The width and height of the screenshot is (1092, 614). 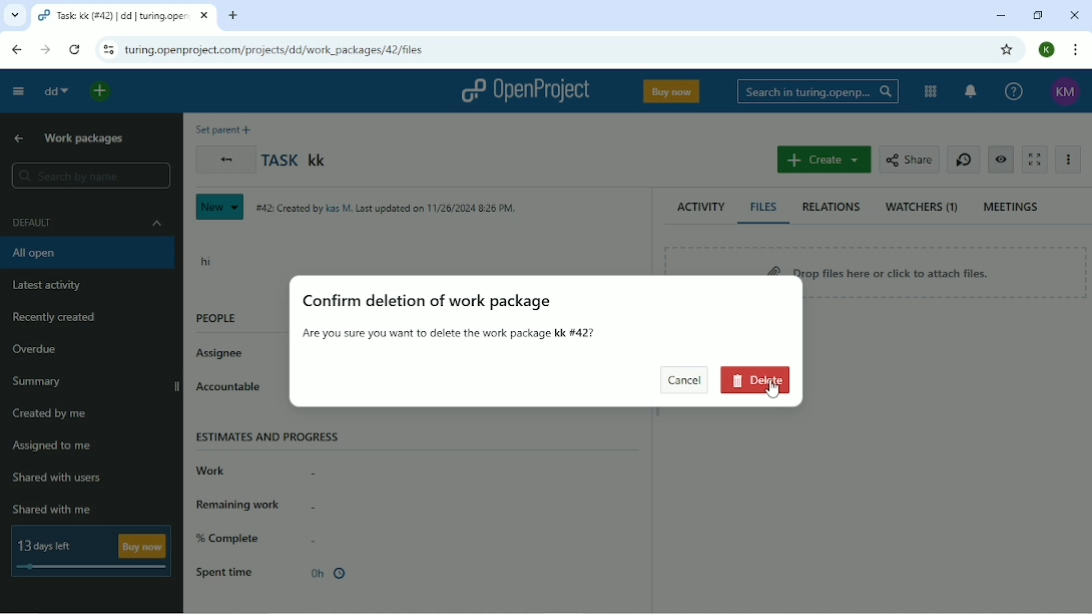 What do you see at coordinates (124, 15) in the screenshot?
I see `Task: kk(#42) | dd | turing.openproject.com ` at bounding box center [124, 15].